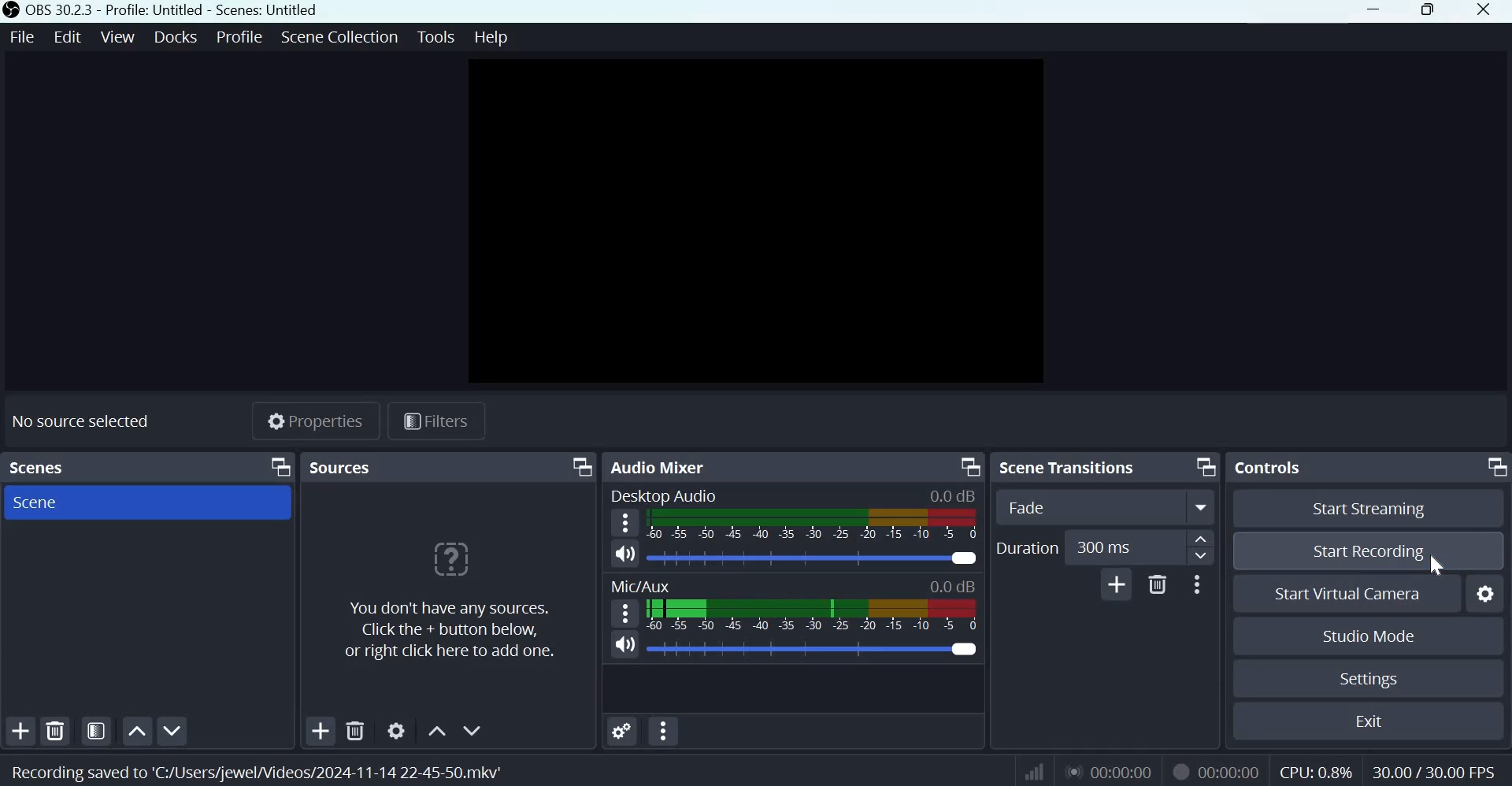 The image size is (1512, 786). I want to click on Add scene, so click(22, 731).